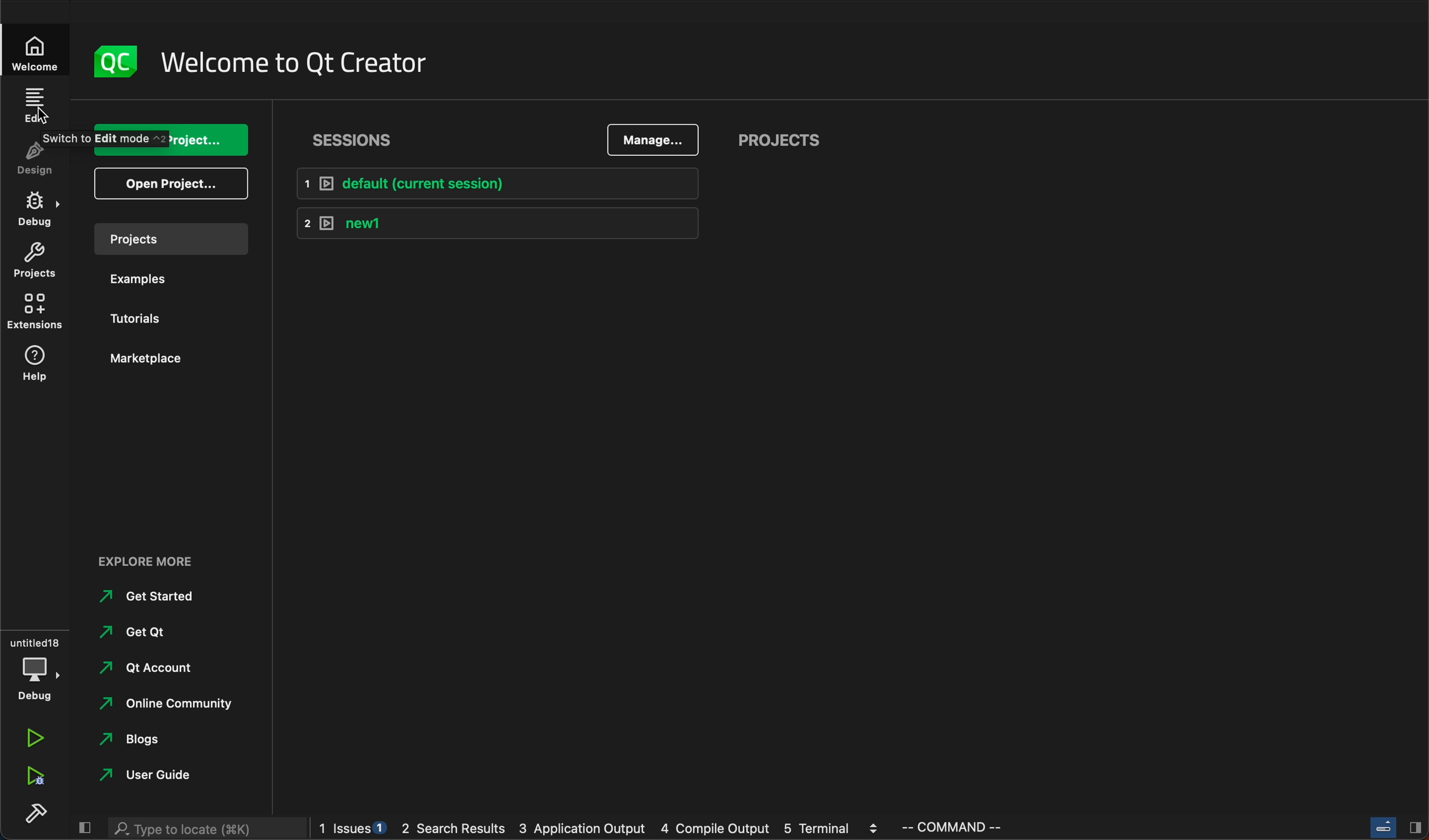  Describe the element at coordinates (163, 773) in the screenshot. I see `guide` at that location.